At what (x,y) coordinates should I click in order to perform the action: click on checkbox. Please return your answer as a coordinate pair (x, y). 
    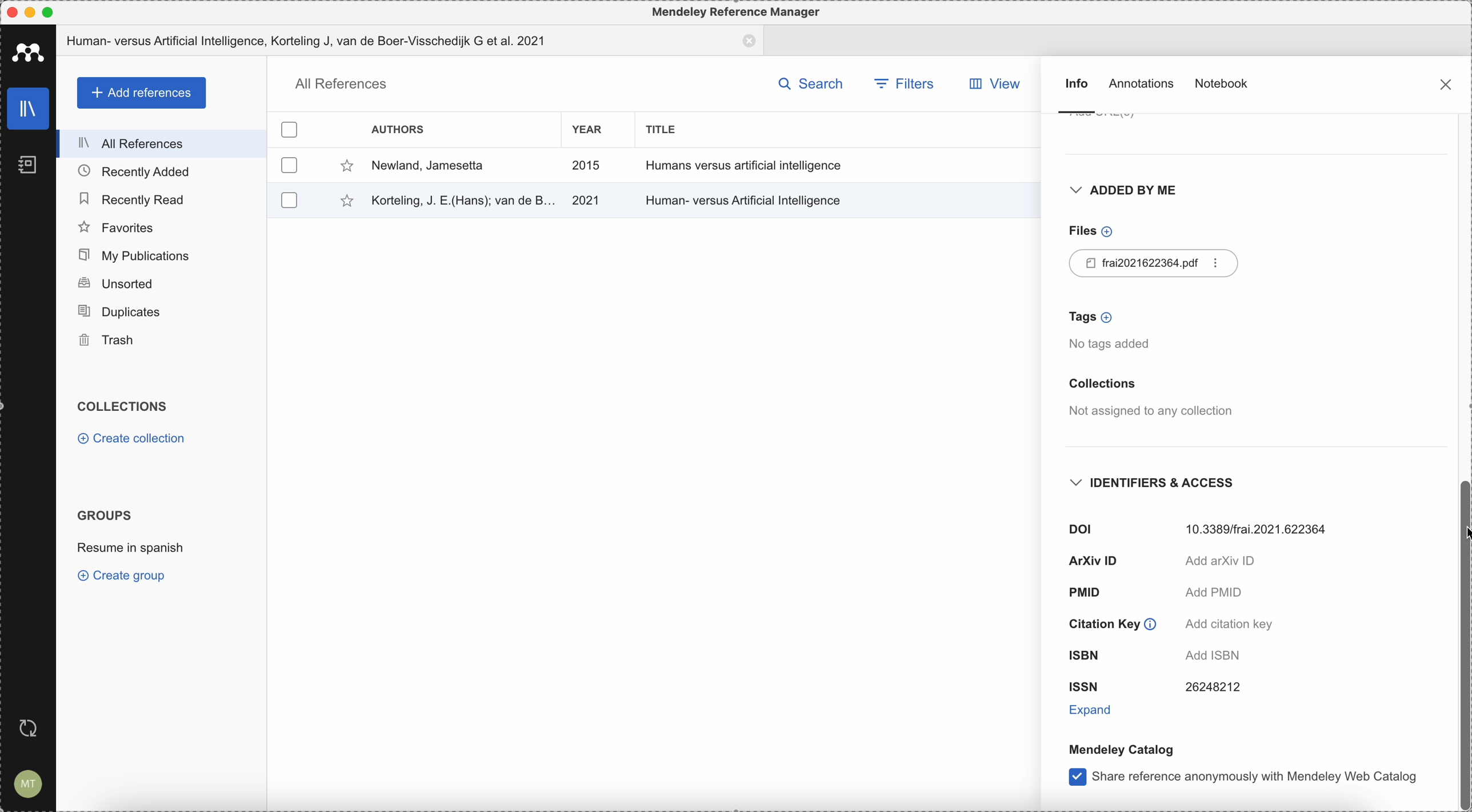
    Looking at the image, I should click on (287, 199).